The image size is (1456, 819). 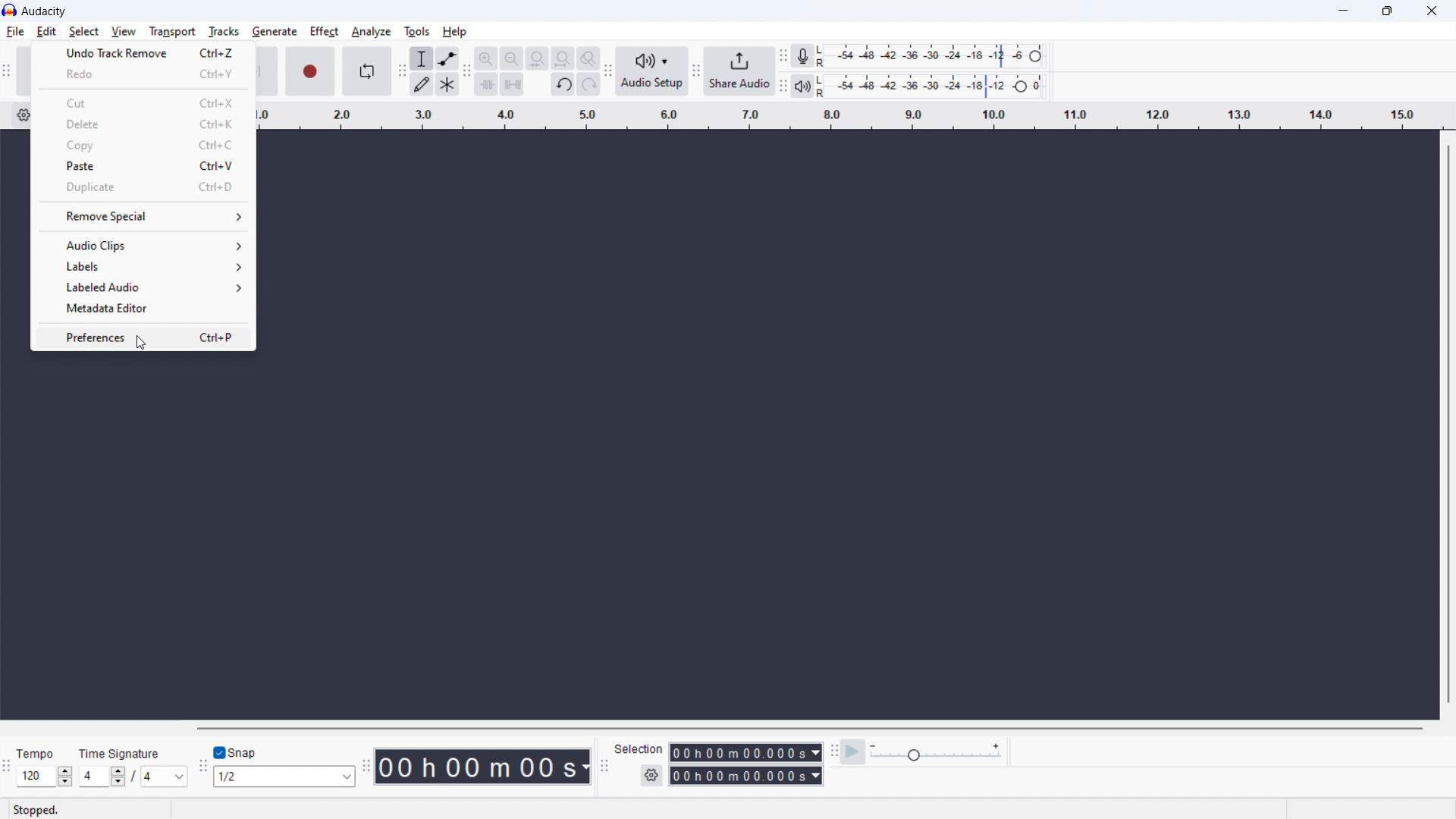 What do you see at coordinates (143, 187) in the screenshot?
I see `duplicate` at bounding box center [143, 187].